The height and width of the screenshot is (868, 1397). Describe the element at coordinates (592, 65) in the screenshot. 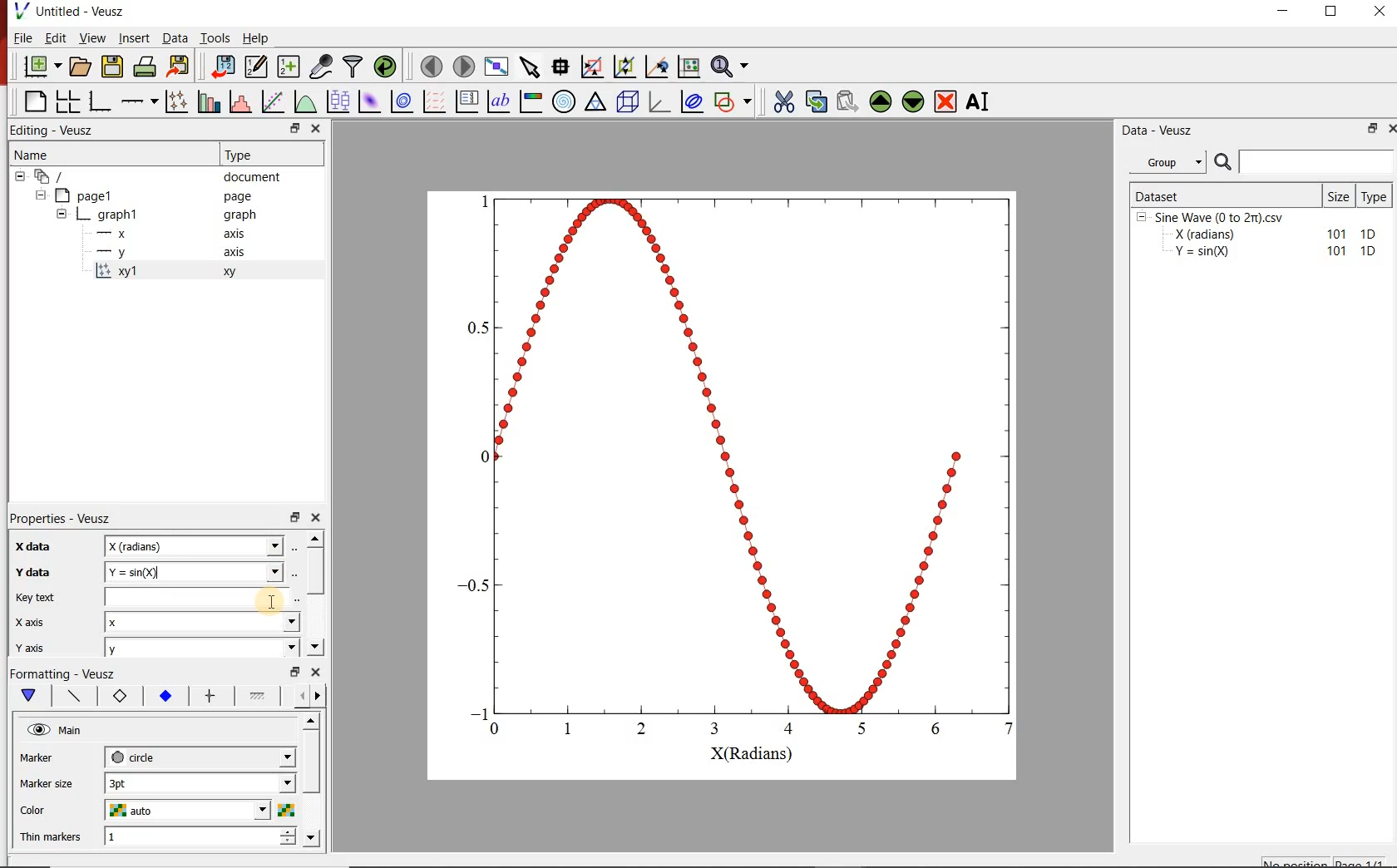

I see `click or draw rectangle` at that location.